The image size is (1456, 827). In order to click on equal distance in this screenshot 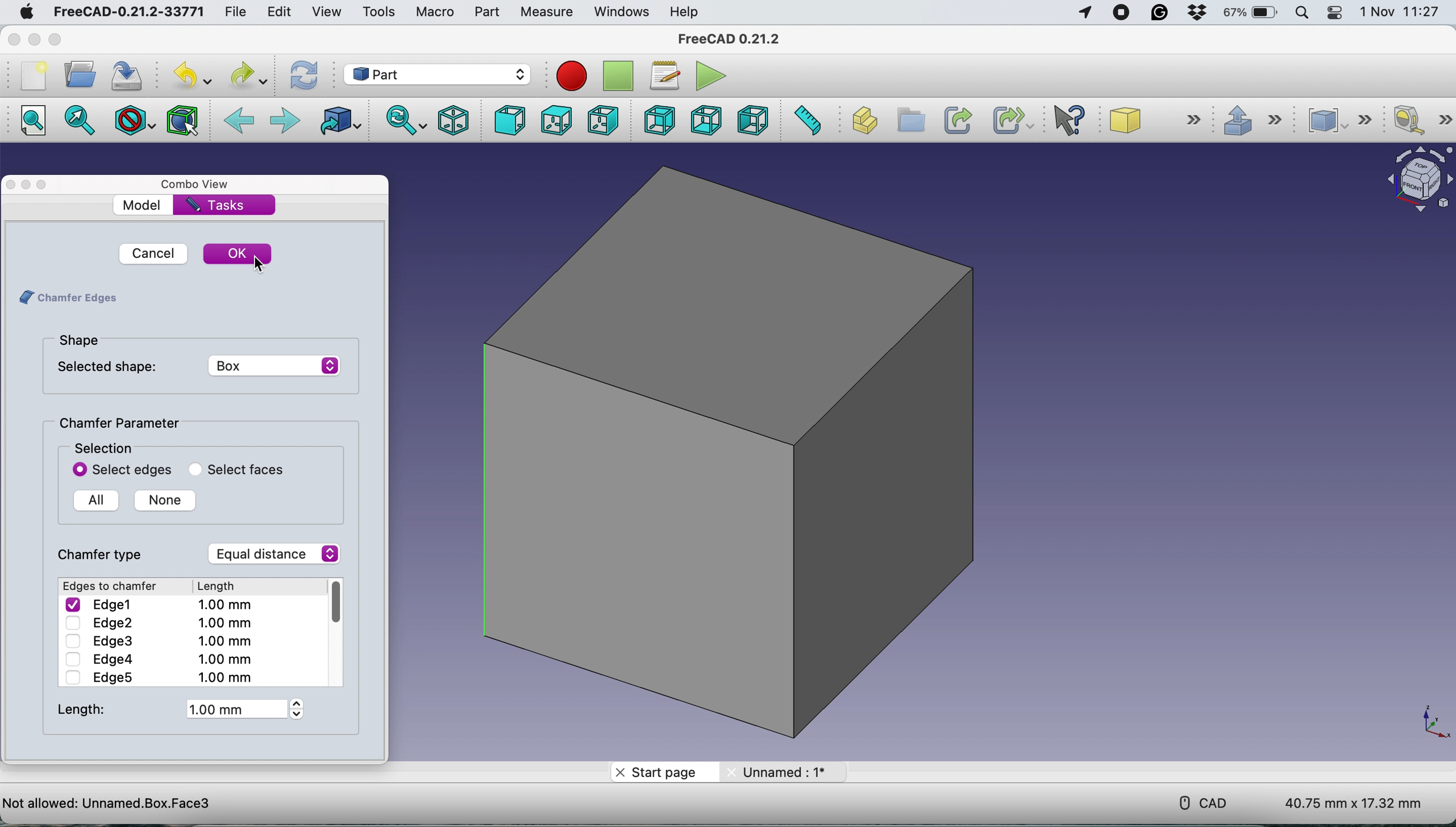, I will do `click(273, 554)`.